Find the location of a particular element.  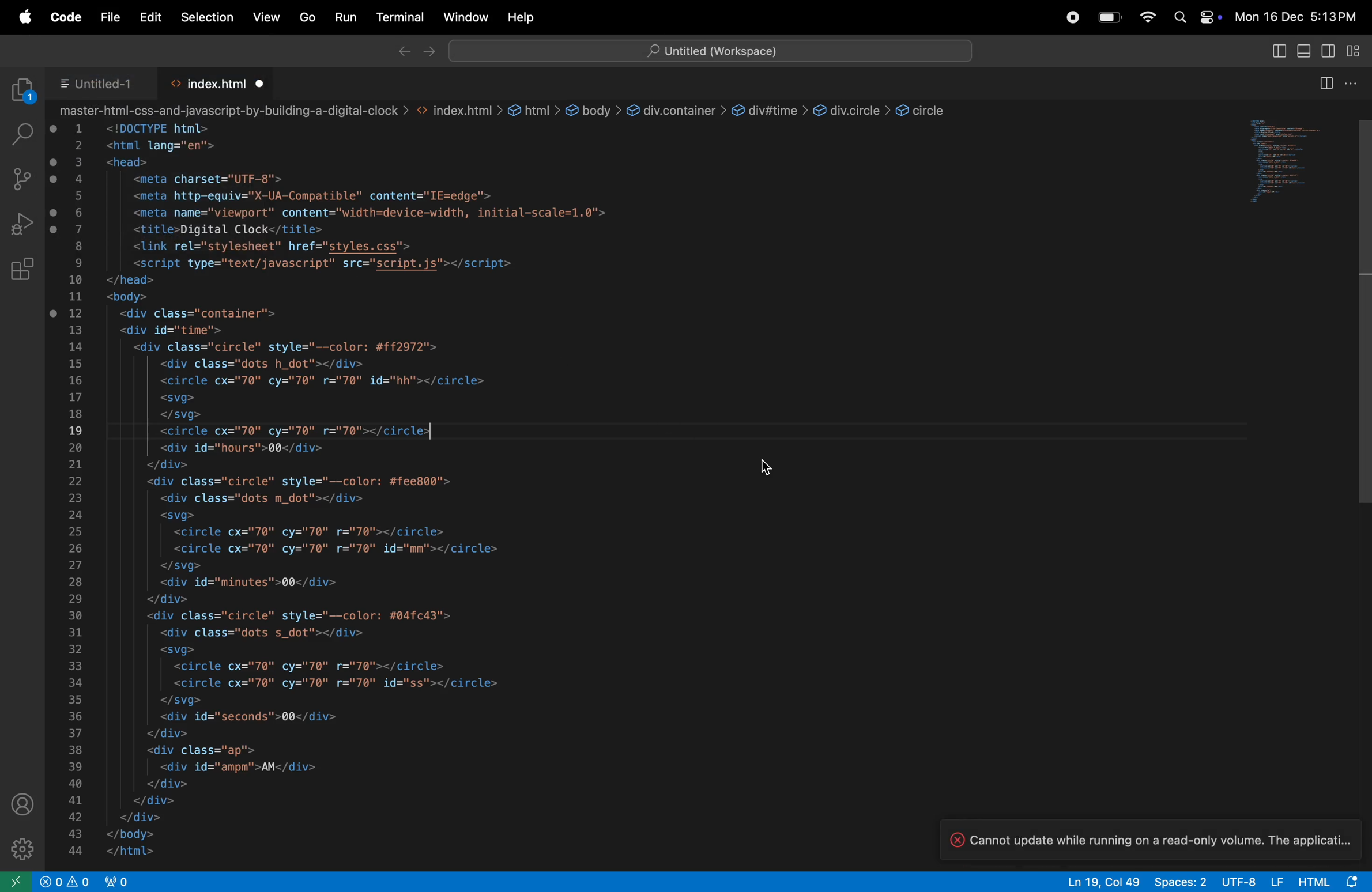

apple widgets is located at coordinates (1194, 17).